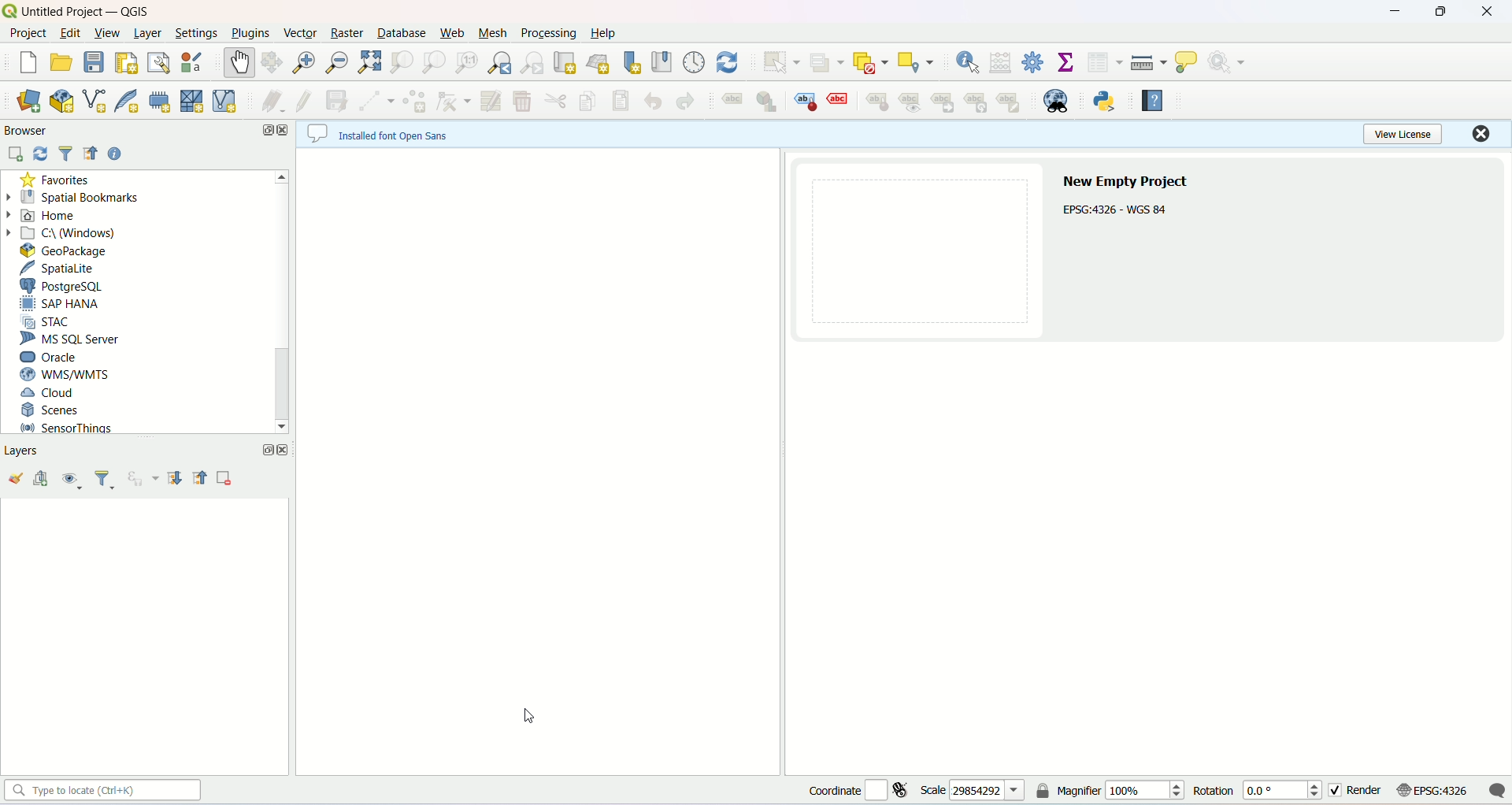 Image resolution: width=1512 pixels, height=805 pixels. Describe the element at coordinates (532, 61) in the screenshot. I see `zoom next` at that location.